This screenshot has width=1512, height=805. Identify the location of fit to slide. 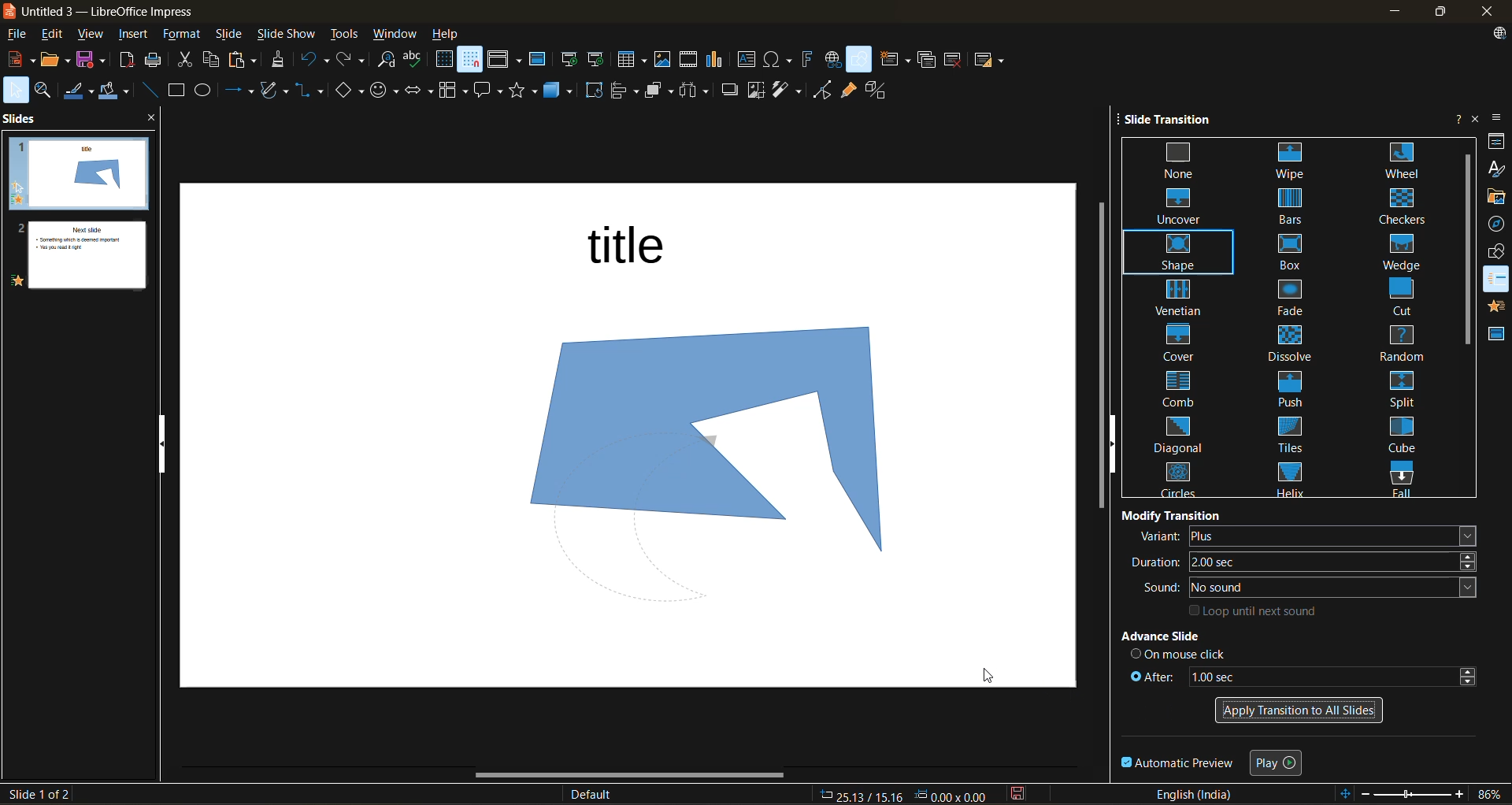
(1347, 792).